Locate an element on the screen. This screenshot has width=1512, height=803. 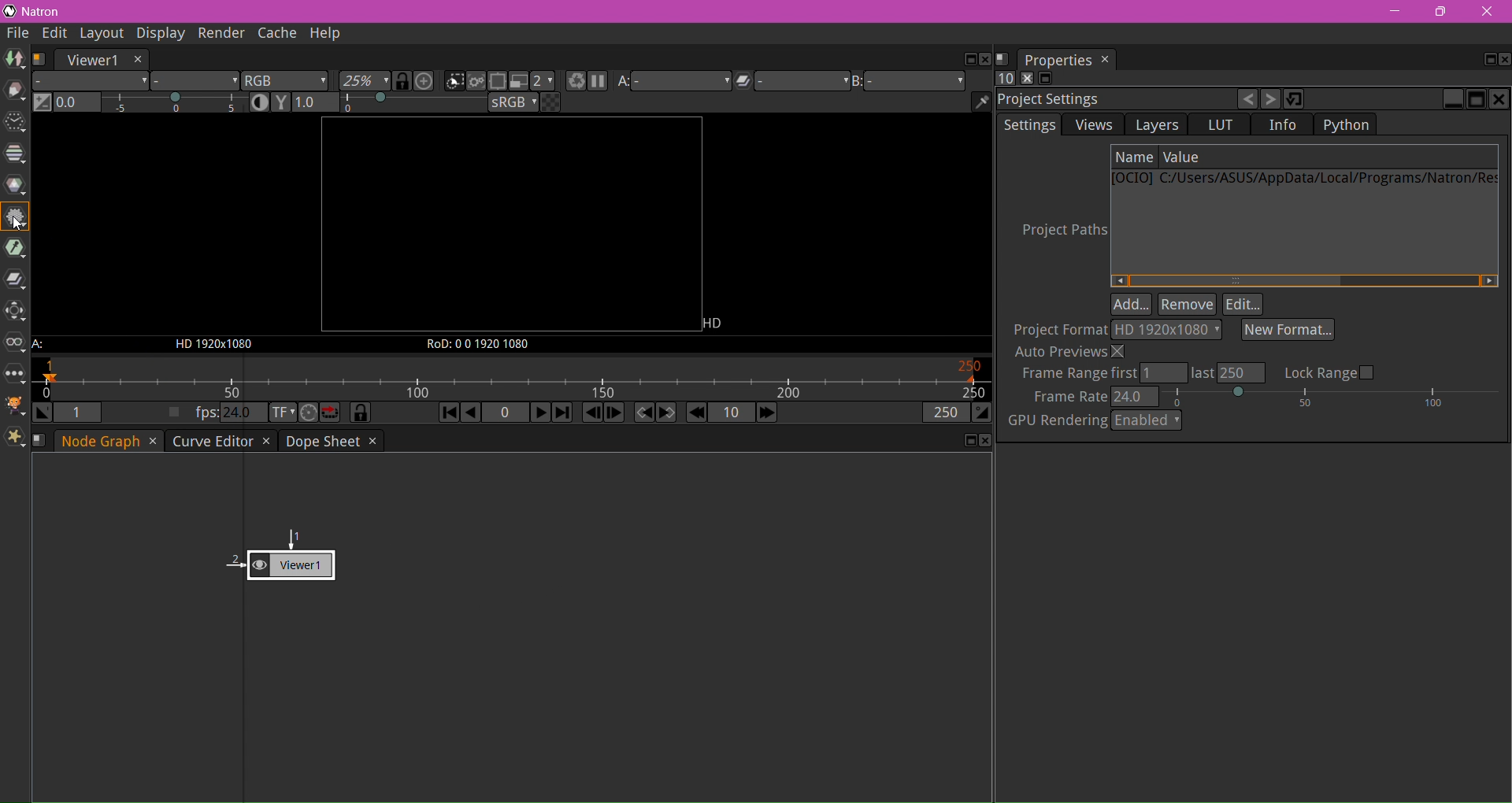
The operator applied between viewer inputs A and B is located at coordinates (789, 83).